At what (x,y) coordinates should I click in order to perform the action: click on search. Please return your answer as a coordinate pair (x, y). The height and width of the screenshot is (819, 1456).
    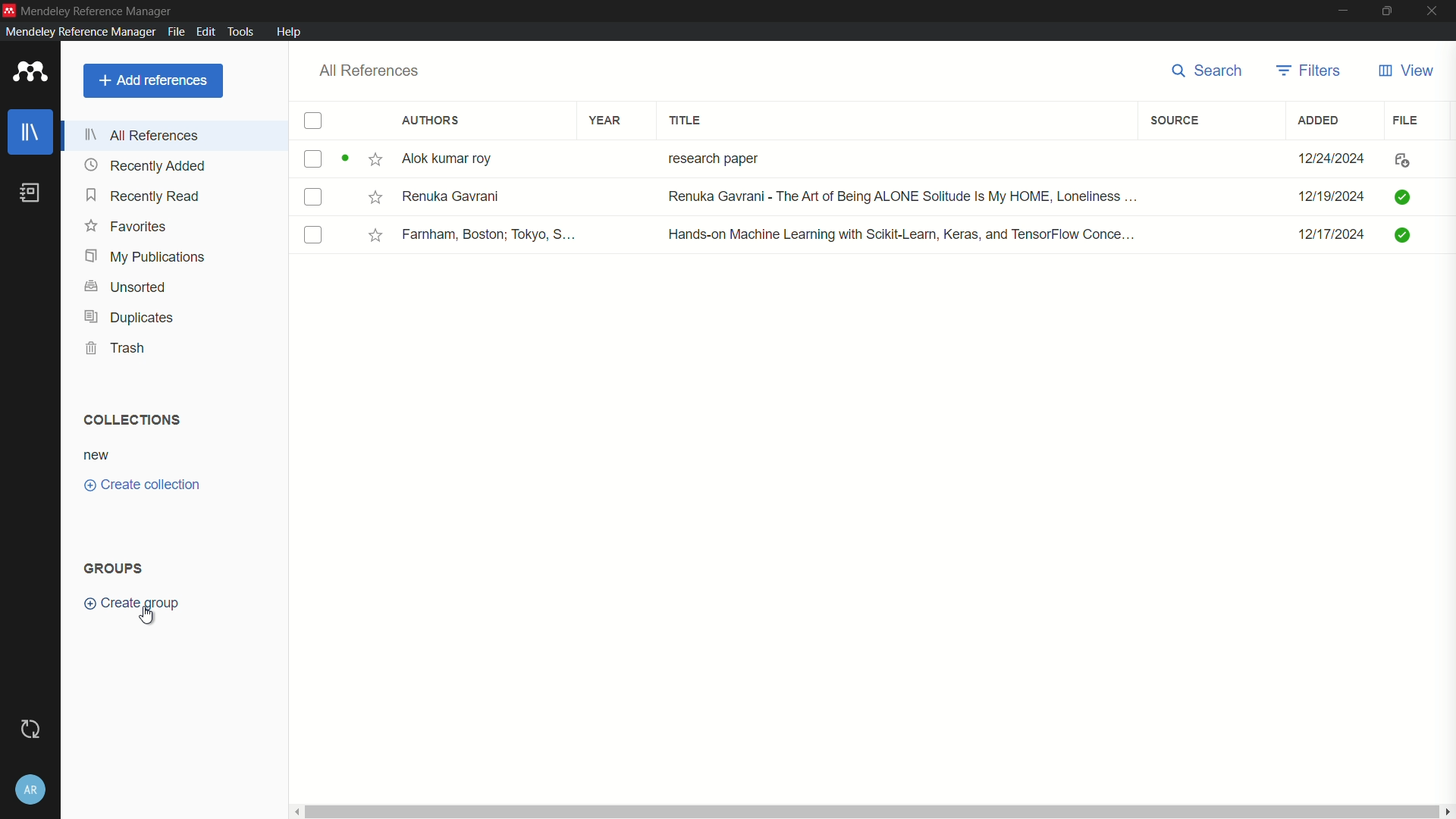
    Looking at the image, I should click on (1202, 71).